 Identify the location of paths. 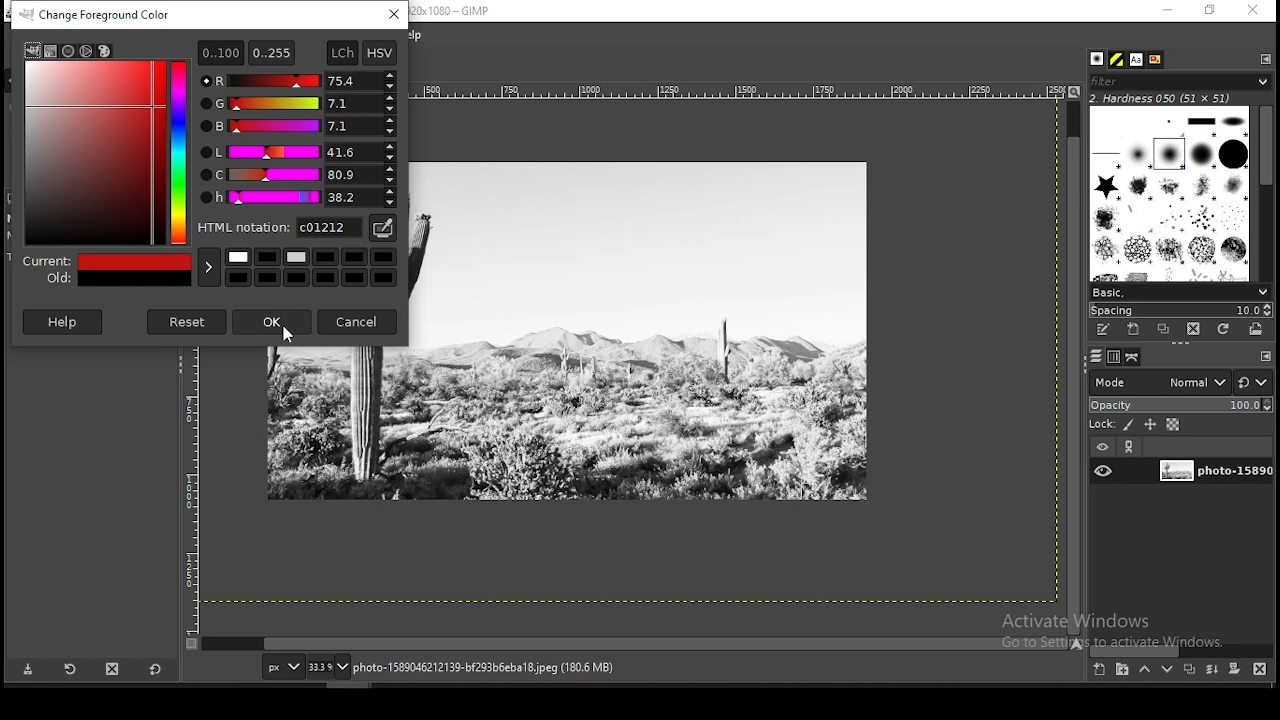
(1135, 357).